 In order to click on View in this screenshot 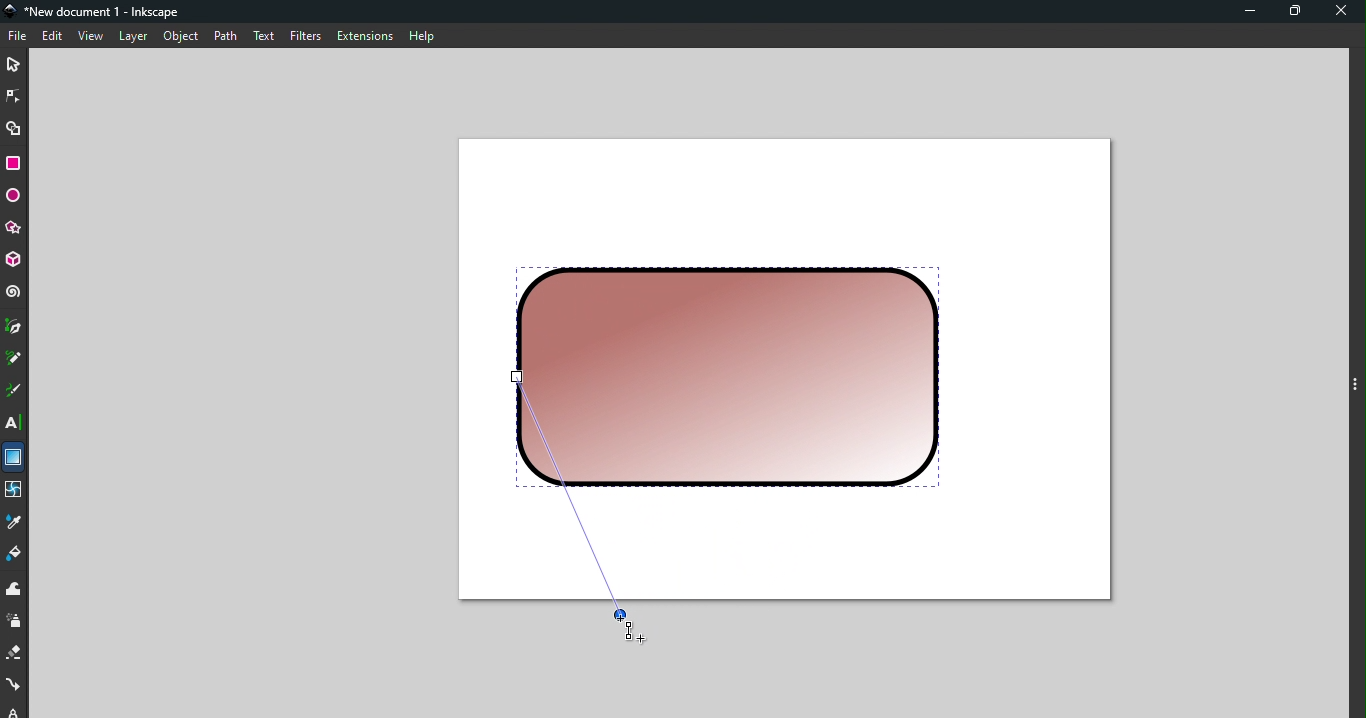, I will do `click(93, 37)`.